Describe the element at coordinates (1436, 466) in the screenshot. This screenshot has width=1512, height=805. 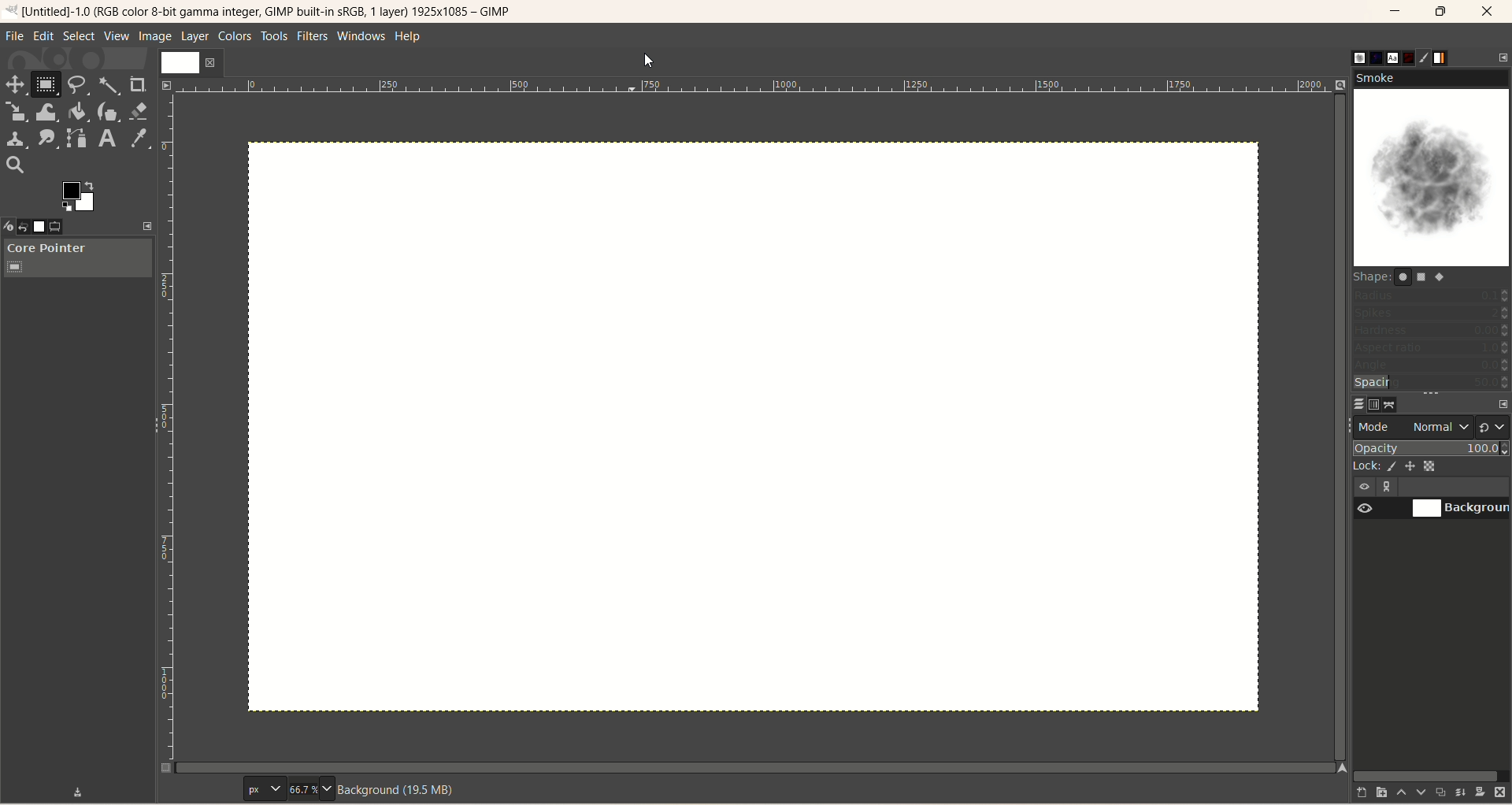
I see `lock alpha channel` at that location.